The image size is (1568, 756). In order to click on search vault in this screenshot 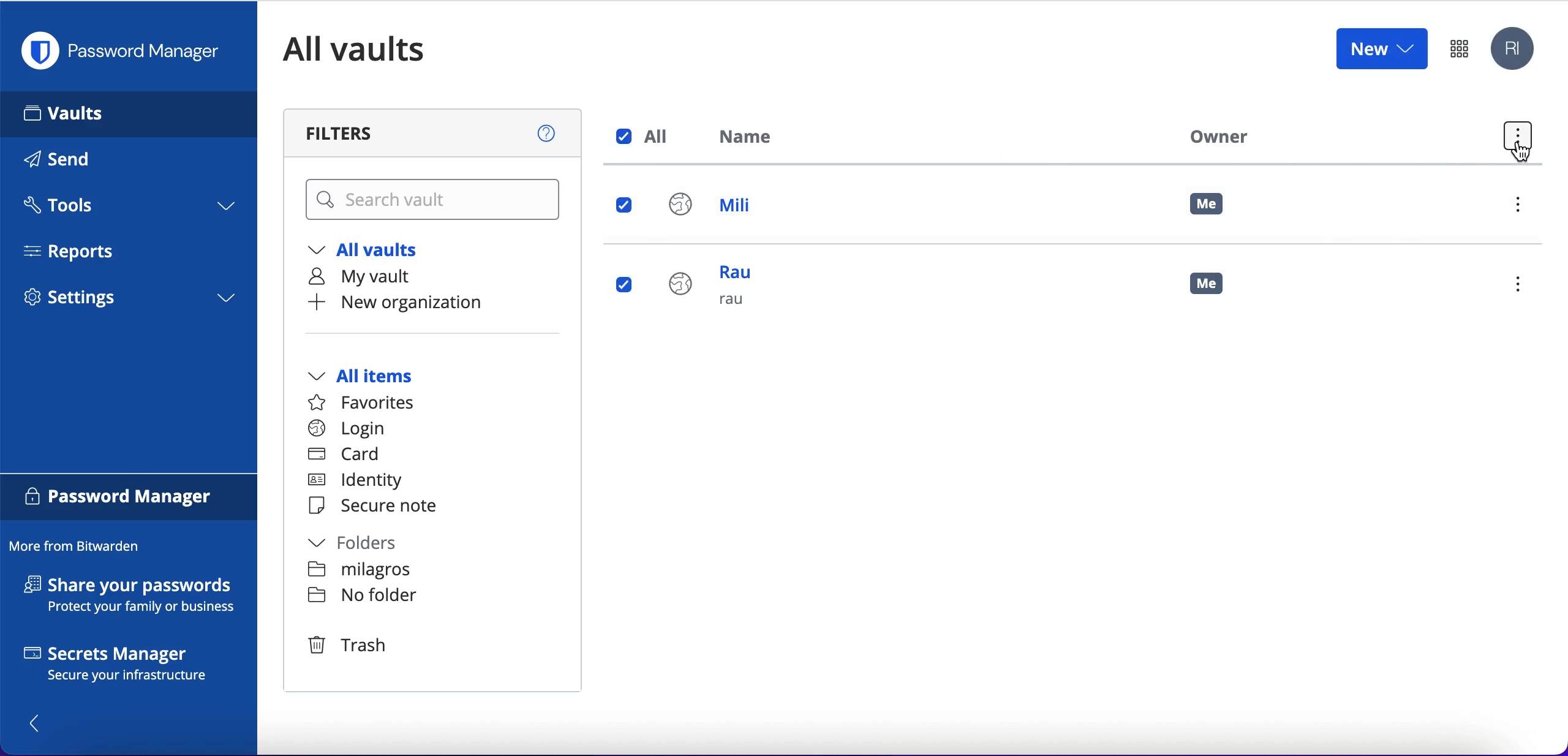, I will do `click(435, 200)`.